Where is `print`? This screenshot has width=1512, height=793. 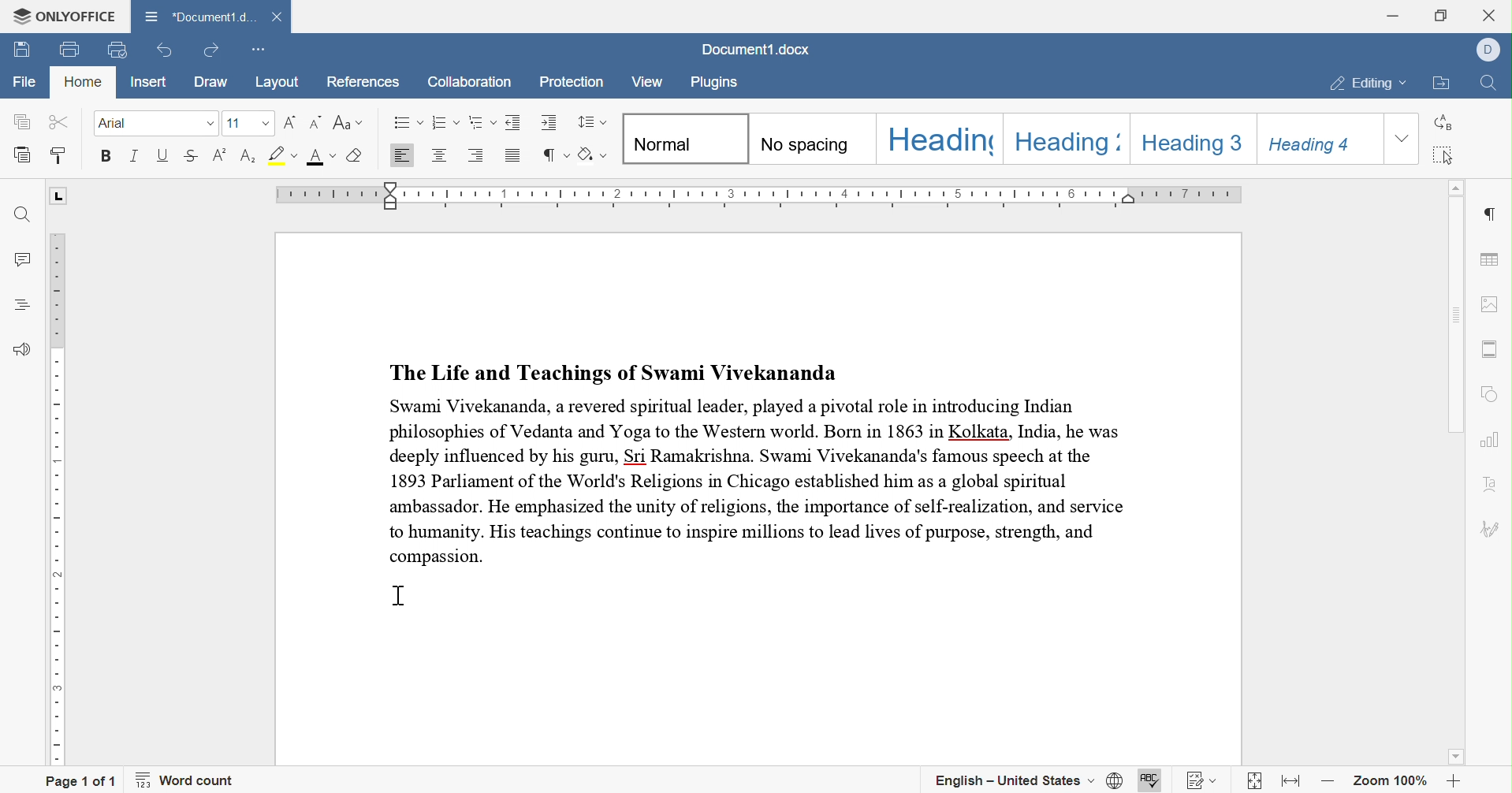 print is located at coordinates (70, 50).